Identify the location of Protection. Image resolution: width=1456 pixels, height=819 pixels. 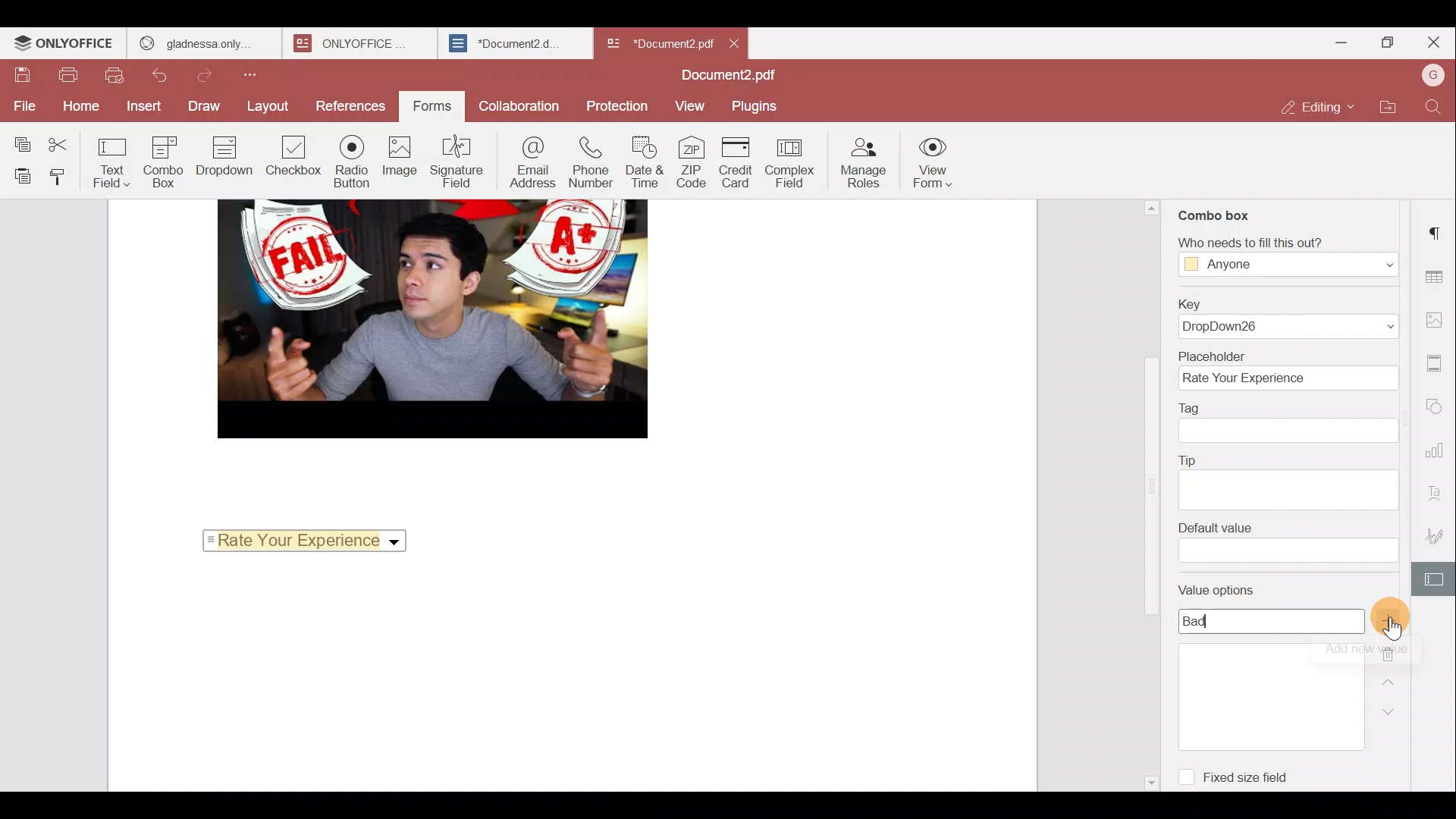
(616, 103).